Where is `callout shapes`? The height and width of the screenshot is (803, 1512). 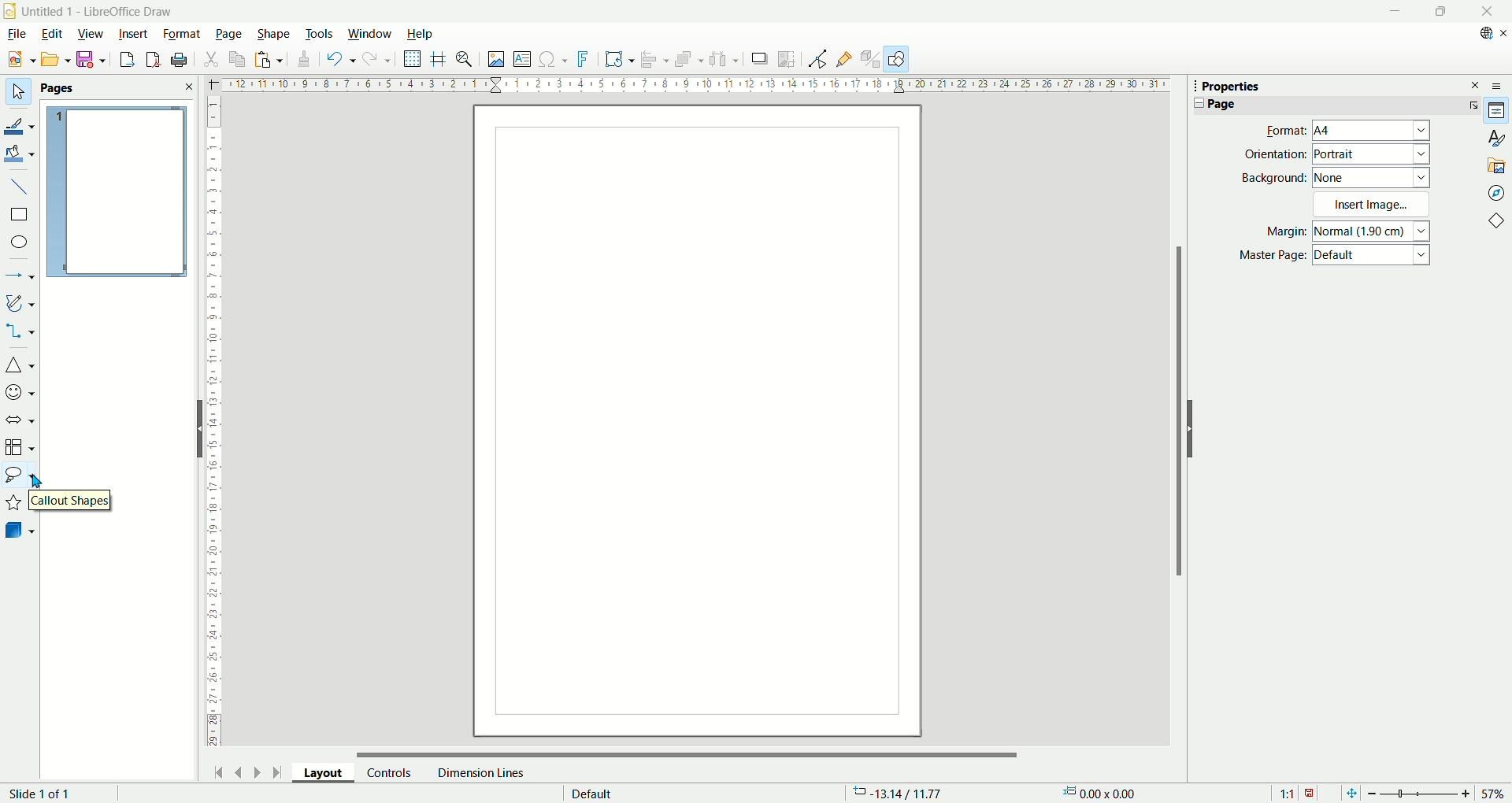
callout shapes is located at coordinates (19, 477).